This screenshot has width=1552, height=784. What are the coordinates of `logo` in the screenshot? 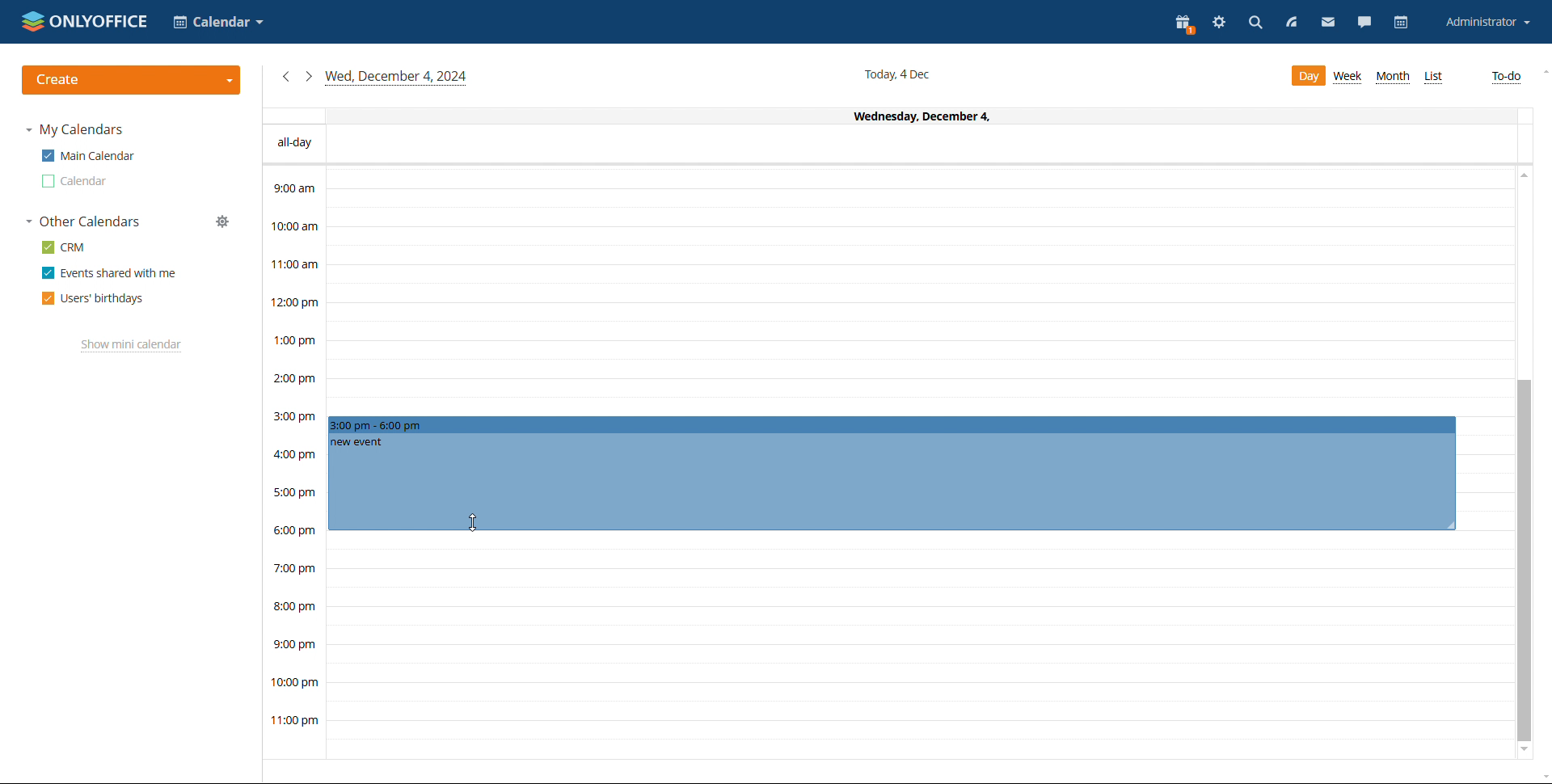 It's located at (84, 21).